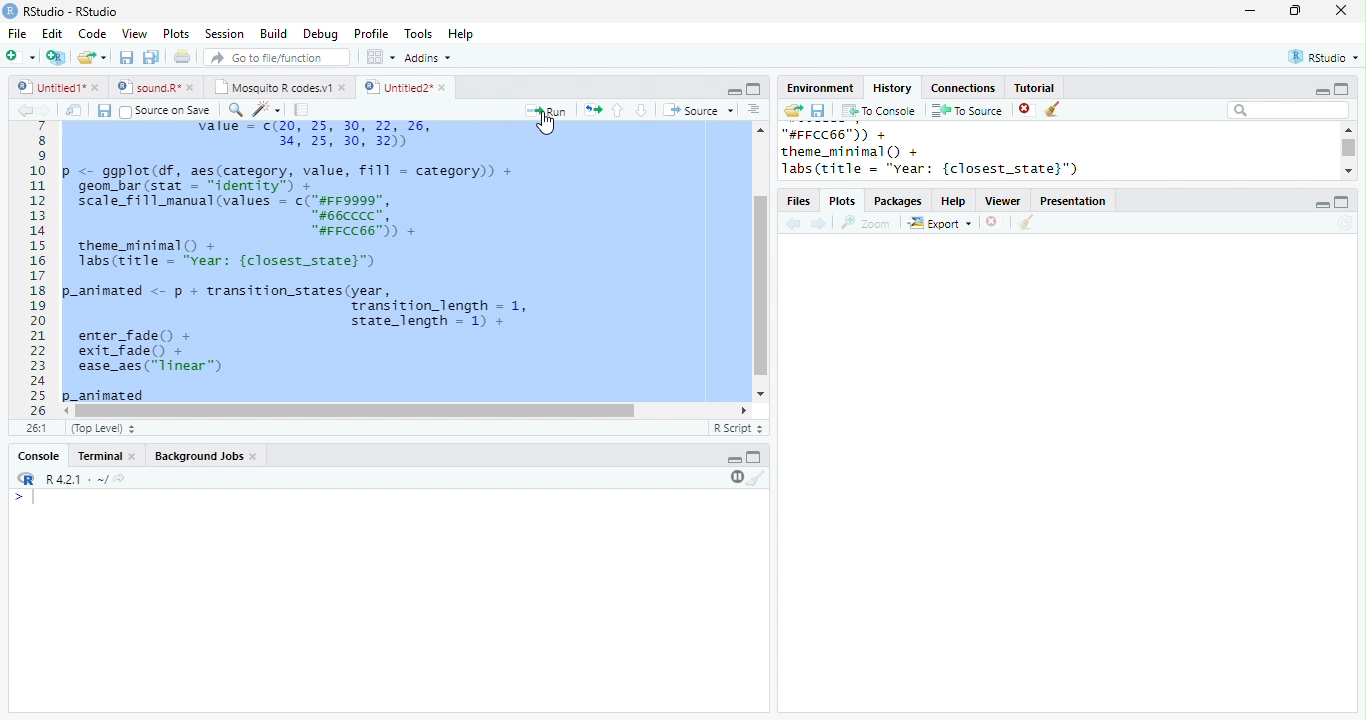 This screenshot has height=720, width=1366. Describe the element at coordinates (992, 222) in the screenshot. I see `close file` at that location.